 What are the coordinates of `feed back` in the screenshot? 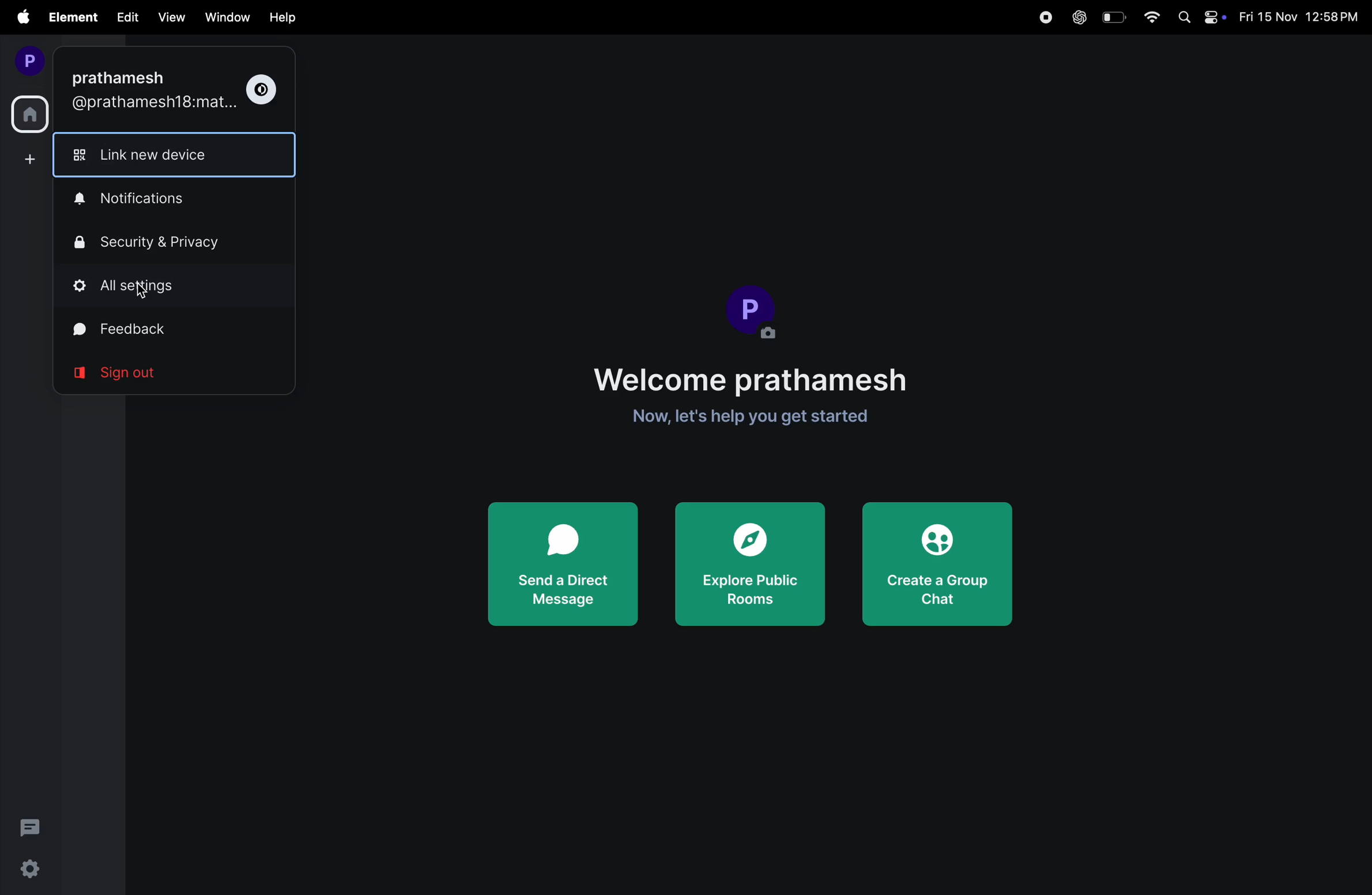 It's located at (175, 328).